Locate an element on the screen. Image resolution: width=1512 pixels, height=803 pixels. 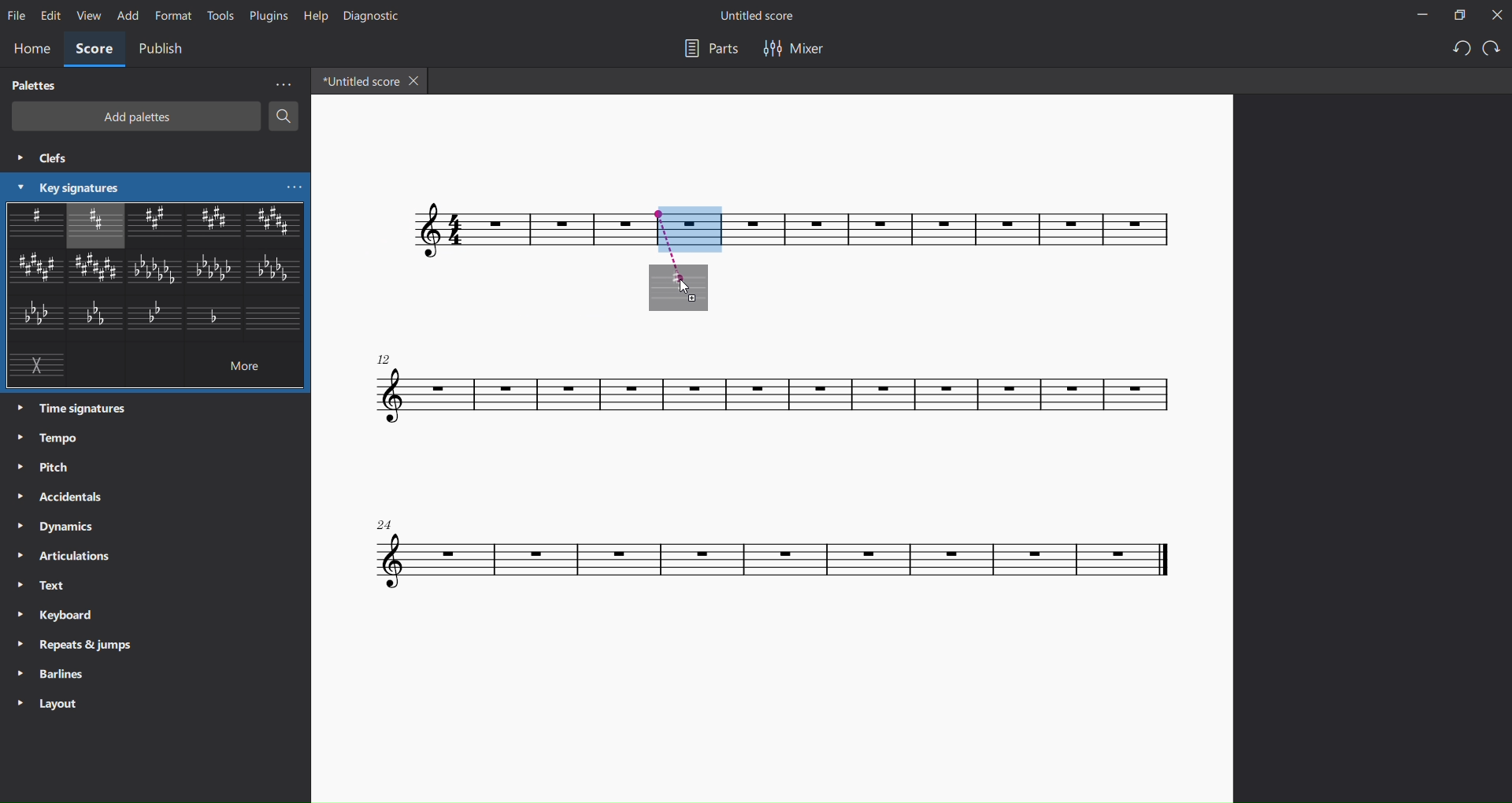
publish is located at coordinates (163, 50).